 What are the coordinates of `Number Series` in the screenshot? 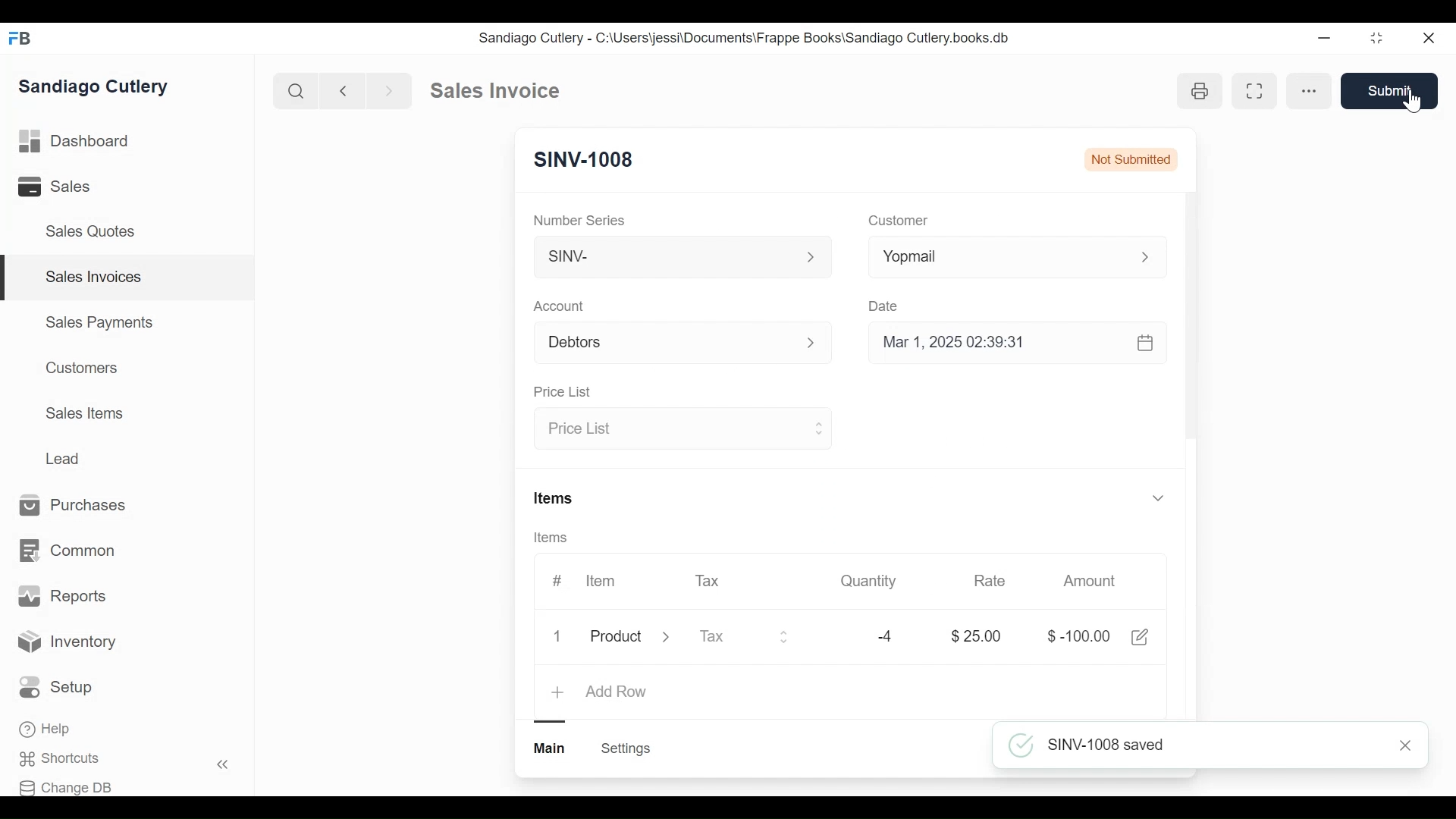 It's located at (579, 219).